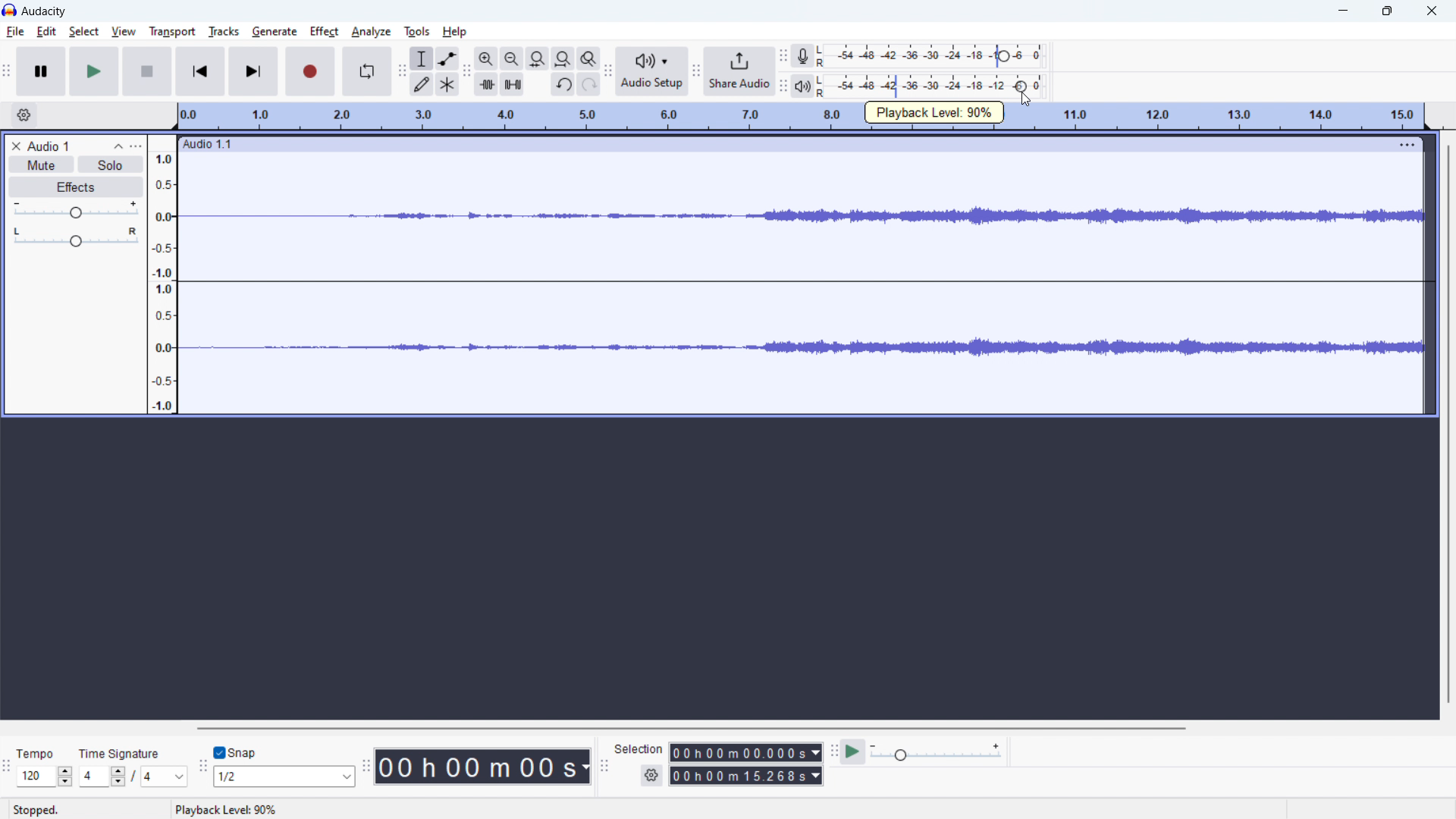  I want to click on menu, so click(1408, 143).